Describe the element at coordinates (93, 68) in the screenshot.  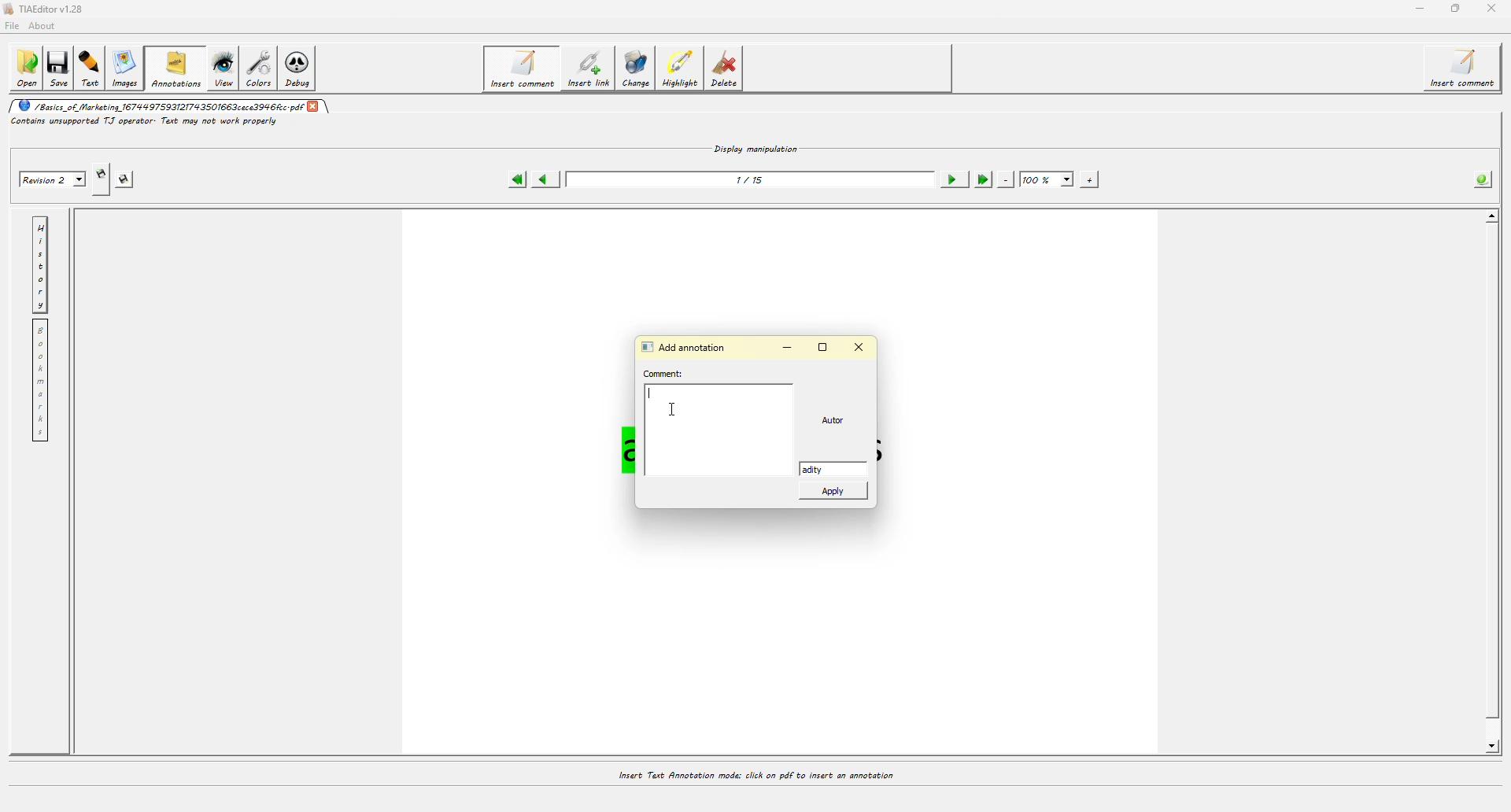
I see `text` at that location.